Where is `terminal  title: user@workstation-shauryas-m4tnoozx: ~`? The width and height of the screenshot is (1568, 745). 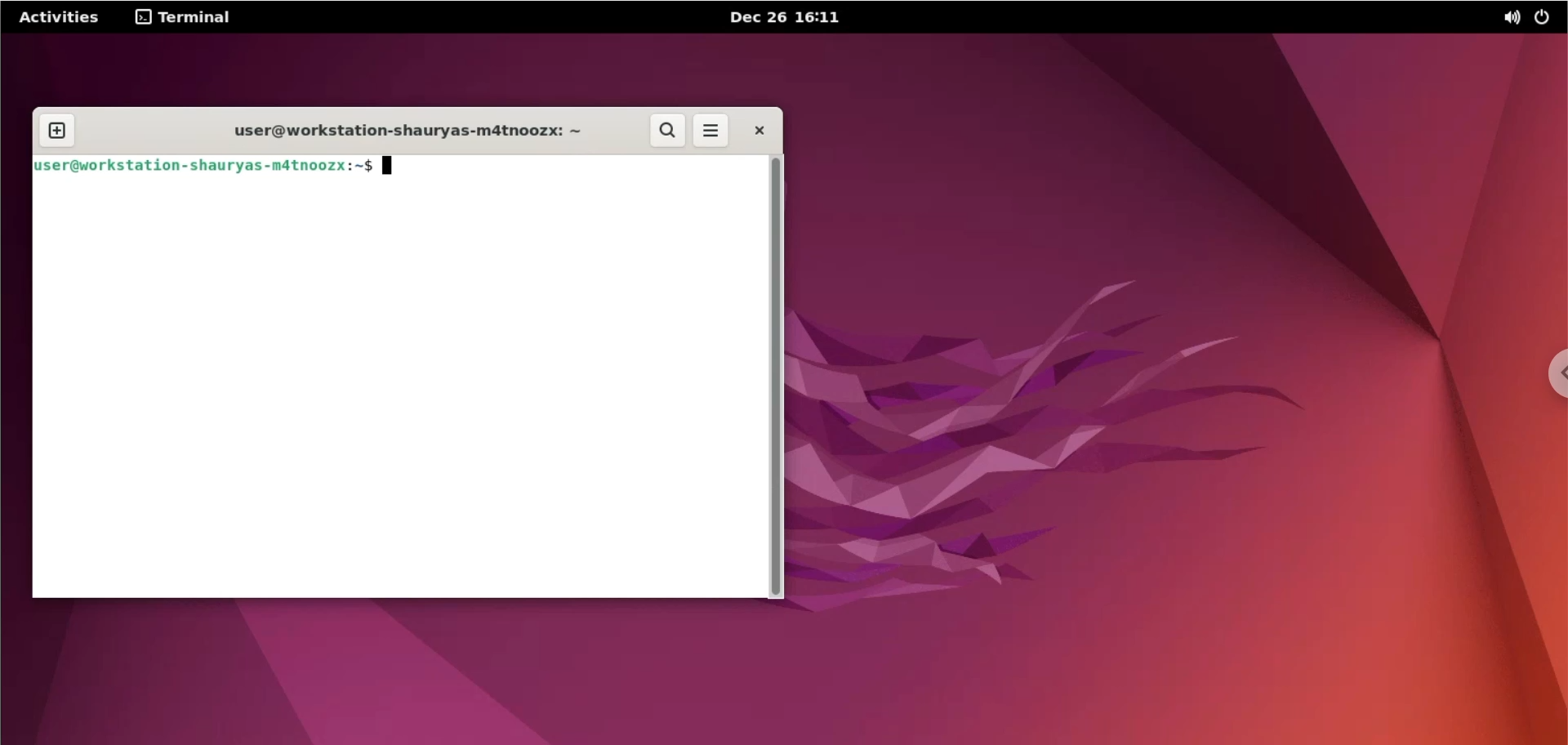
terminal  title: user@workstation-shauryas-m4tnoozx: ~ is located at coordinates (390, 130).